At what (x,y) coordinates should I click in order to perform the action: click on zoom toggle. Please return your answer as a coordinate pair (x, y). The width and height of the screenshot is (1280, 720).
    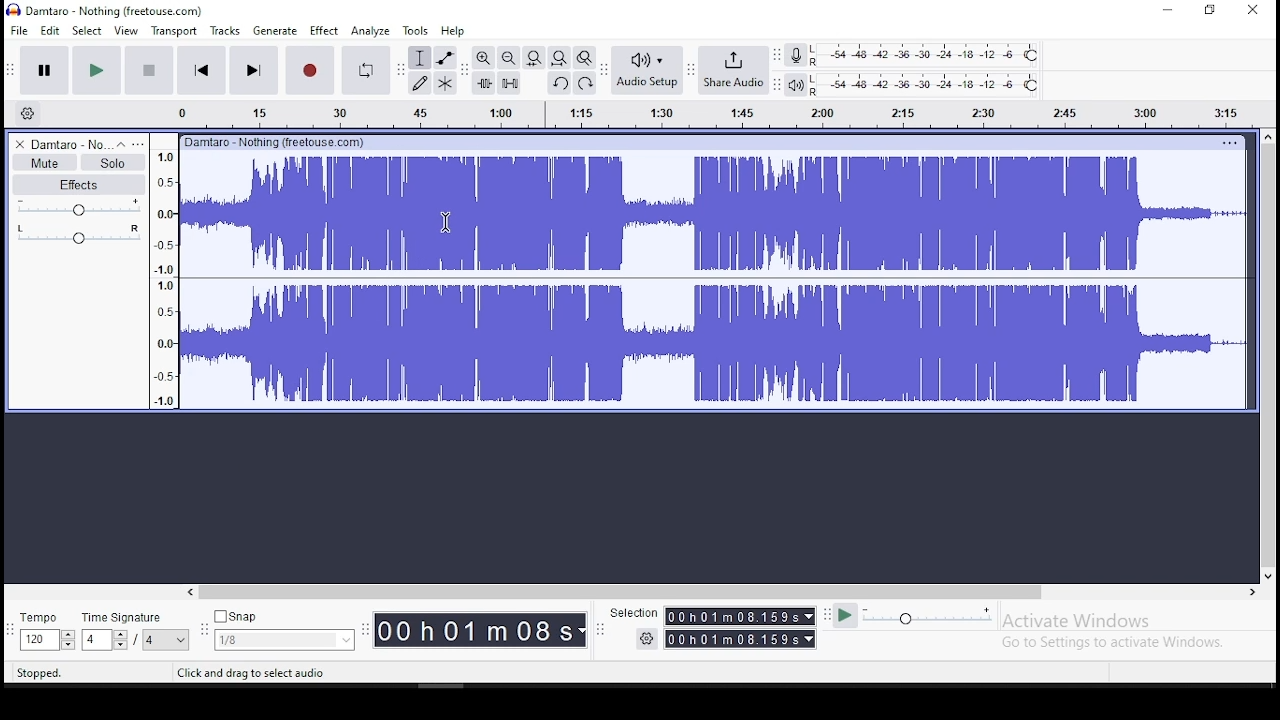
    Looking at the image, I should click on (584, 58).